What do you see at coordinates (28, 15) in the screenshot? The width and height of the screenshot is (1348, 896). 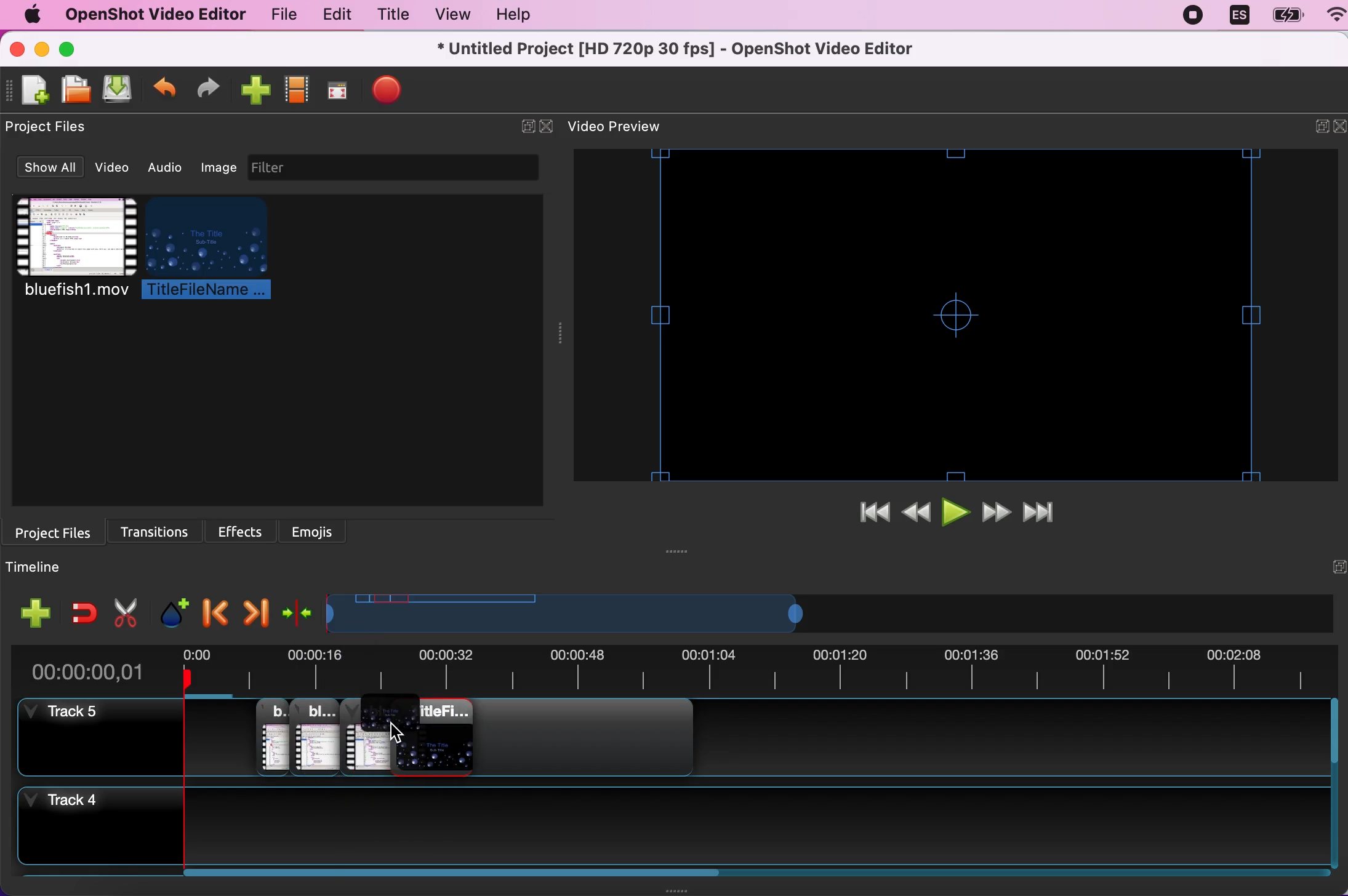 I see `mac logo` at bounding box center [28, 15].